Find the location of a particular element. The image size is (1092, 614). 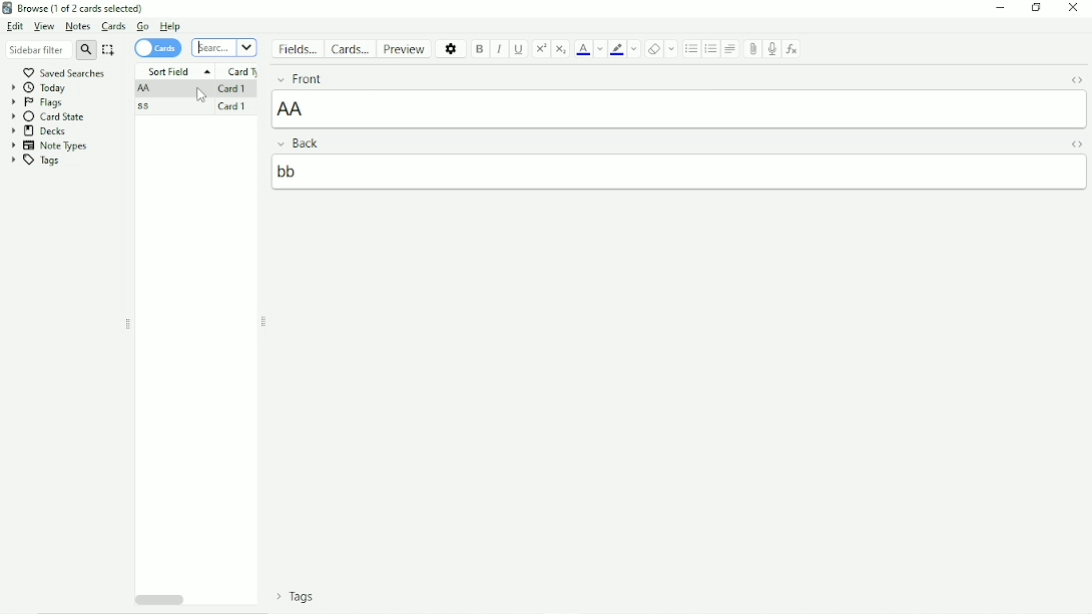

Superscript is located at coordinates (541, 49).